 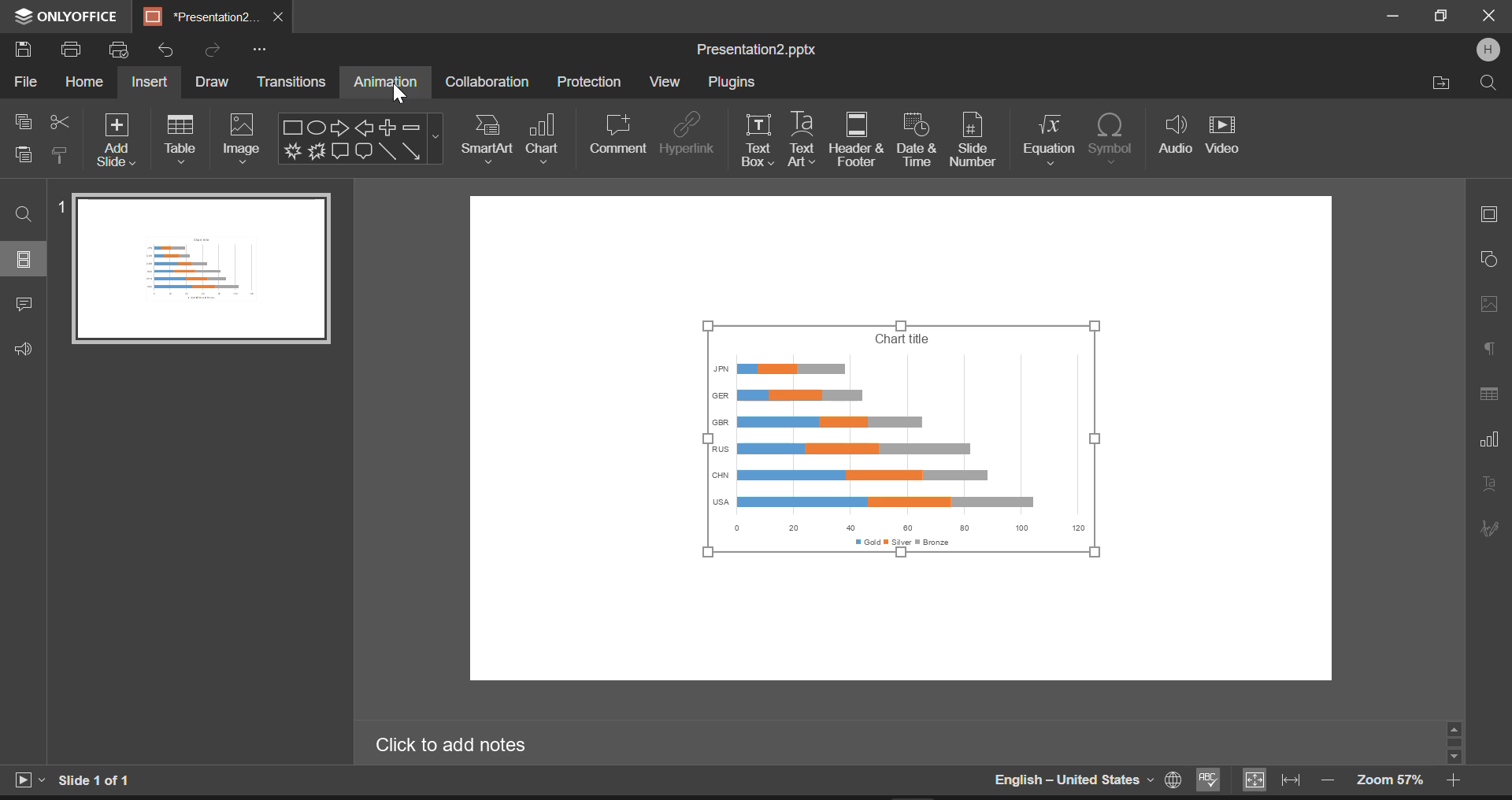 What do you see at coordinates (543, 139) in the screenshot?
I see `Chart` at bounding box center [543, 139].